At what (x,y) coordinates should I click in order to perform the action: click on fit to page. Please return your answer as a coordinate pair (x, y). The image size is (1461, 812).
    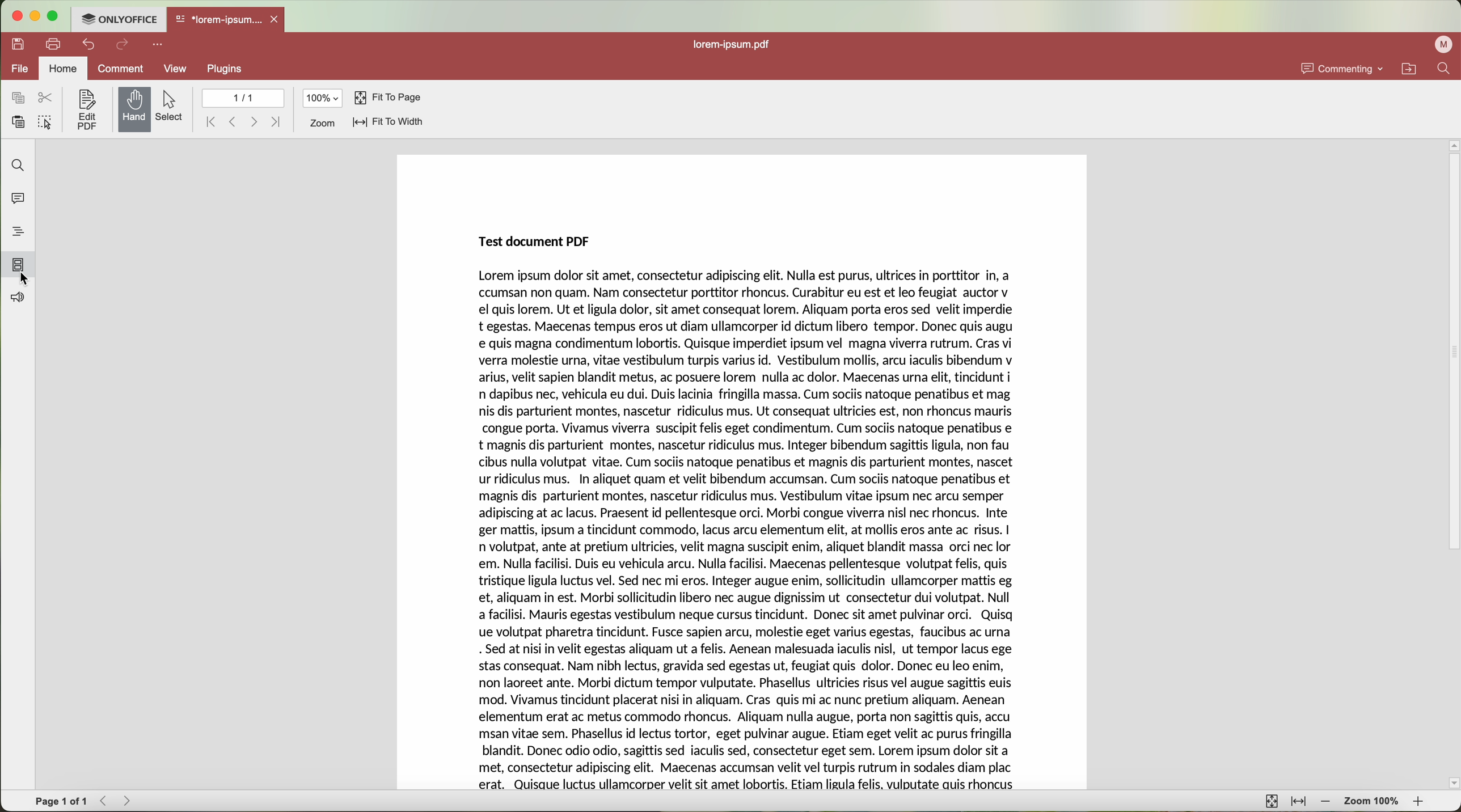
    Looking at the image, I should click on (388, 98).